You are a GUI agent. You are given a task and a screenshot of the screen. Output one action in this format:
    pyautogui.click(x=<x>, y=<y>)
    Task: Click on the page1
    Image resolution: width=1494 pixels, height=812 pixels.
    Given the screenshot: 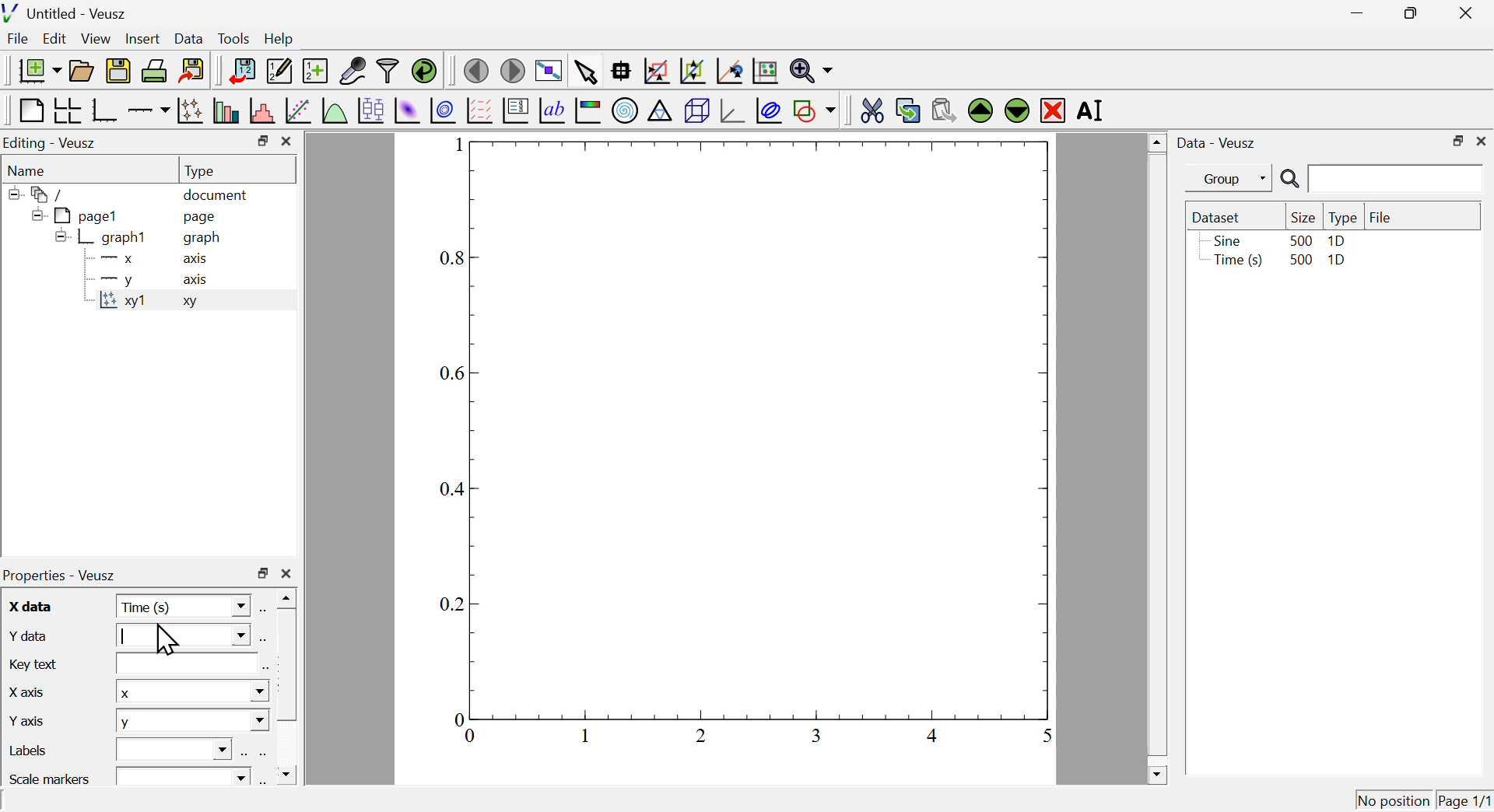 What is the action you would take?
    pyautogui.click(x=77, y=215)
    